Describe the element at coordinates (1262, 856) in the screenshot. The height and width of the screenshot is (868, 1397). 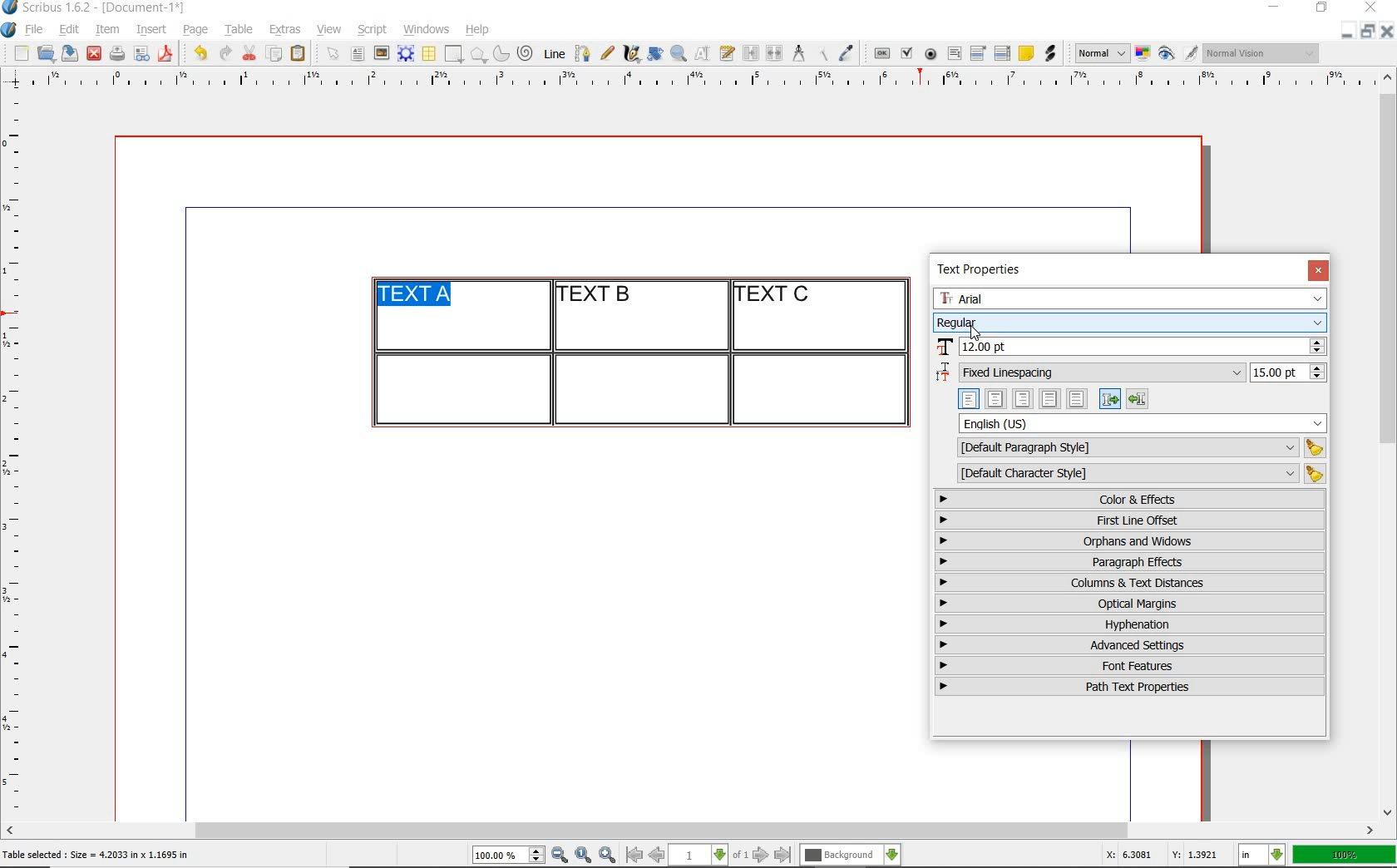
I see `select the current unit` at that location.